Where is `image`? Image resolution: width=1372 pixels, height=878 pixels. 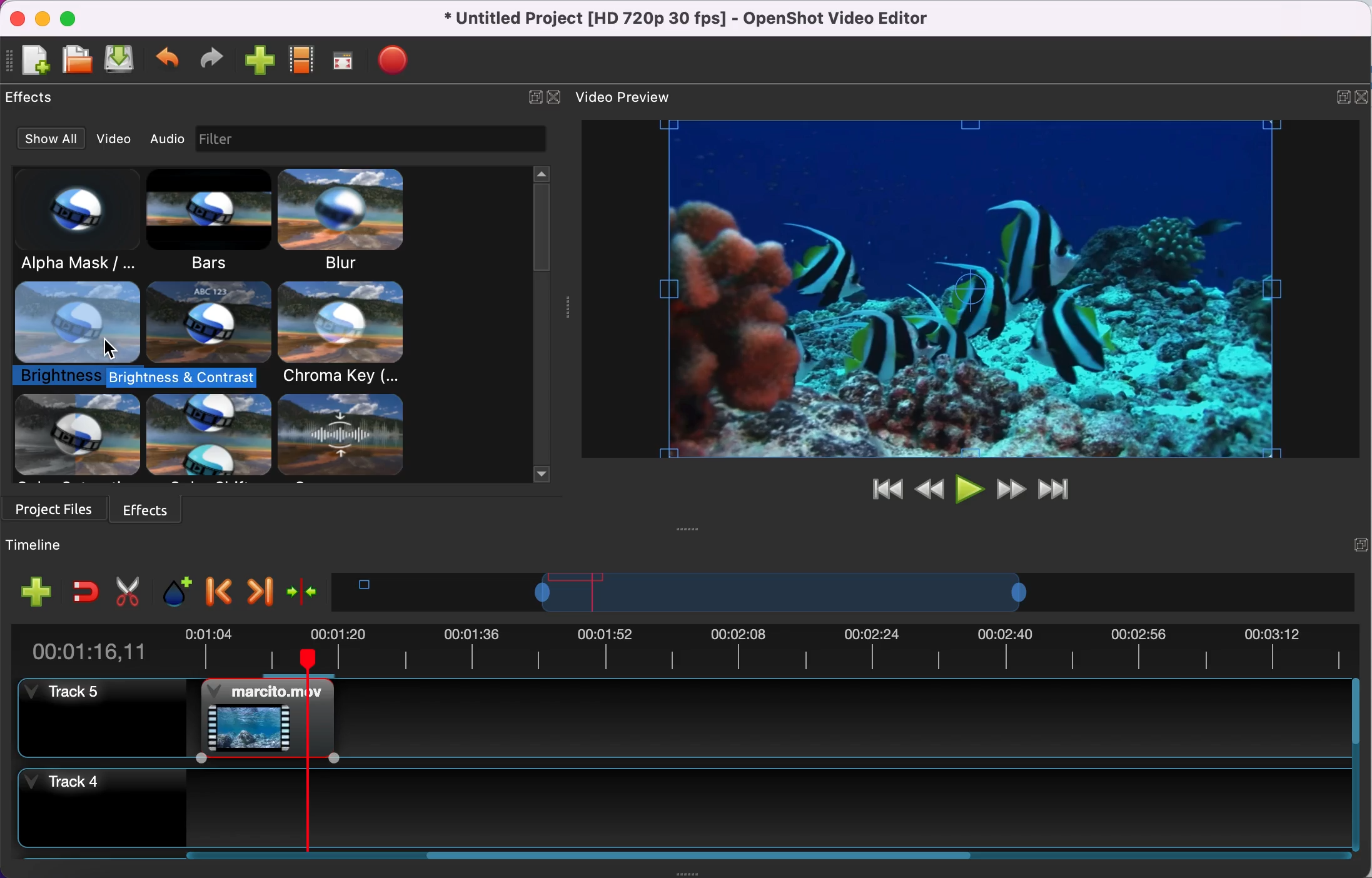
image is located at coordinates (219, 139).